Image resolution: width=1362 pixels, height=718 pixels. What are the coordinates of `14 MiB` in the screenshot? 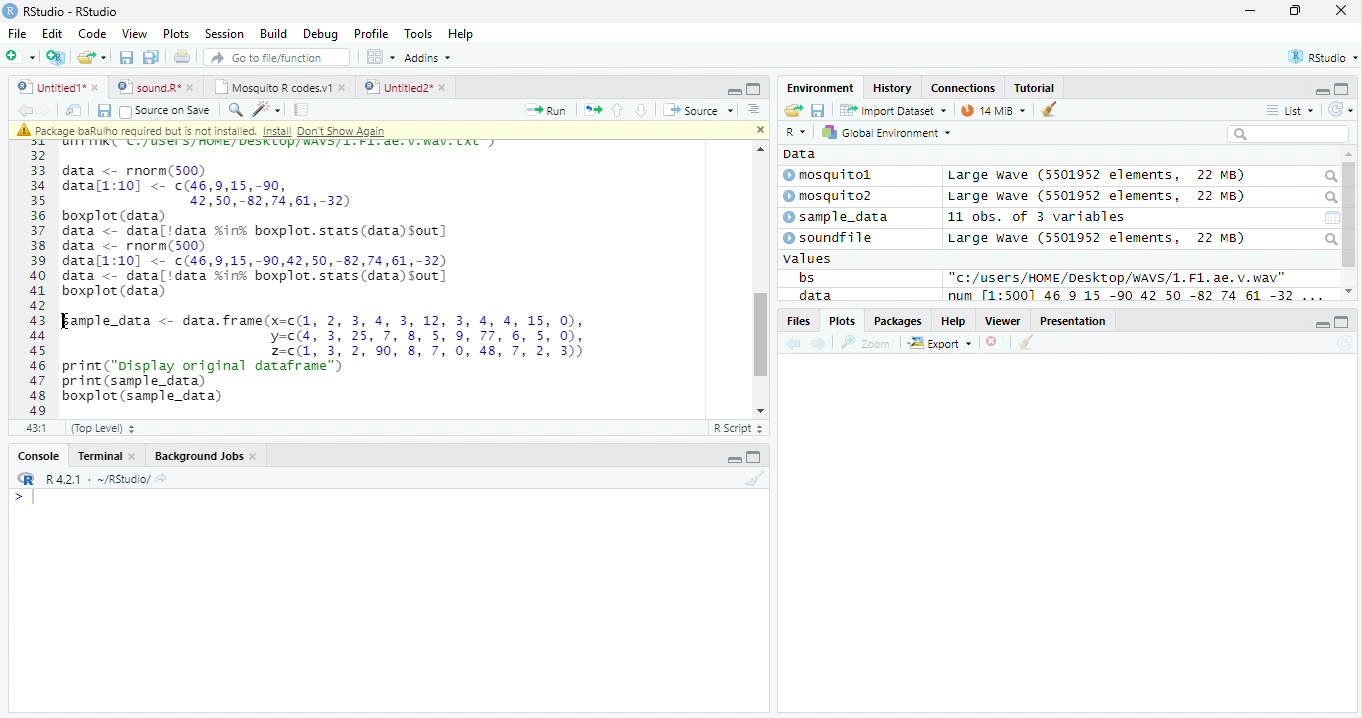 It's located at (993, 110).